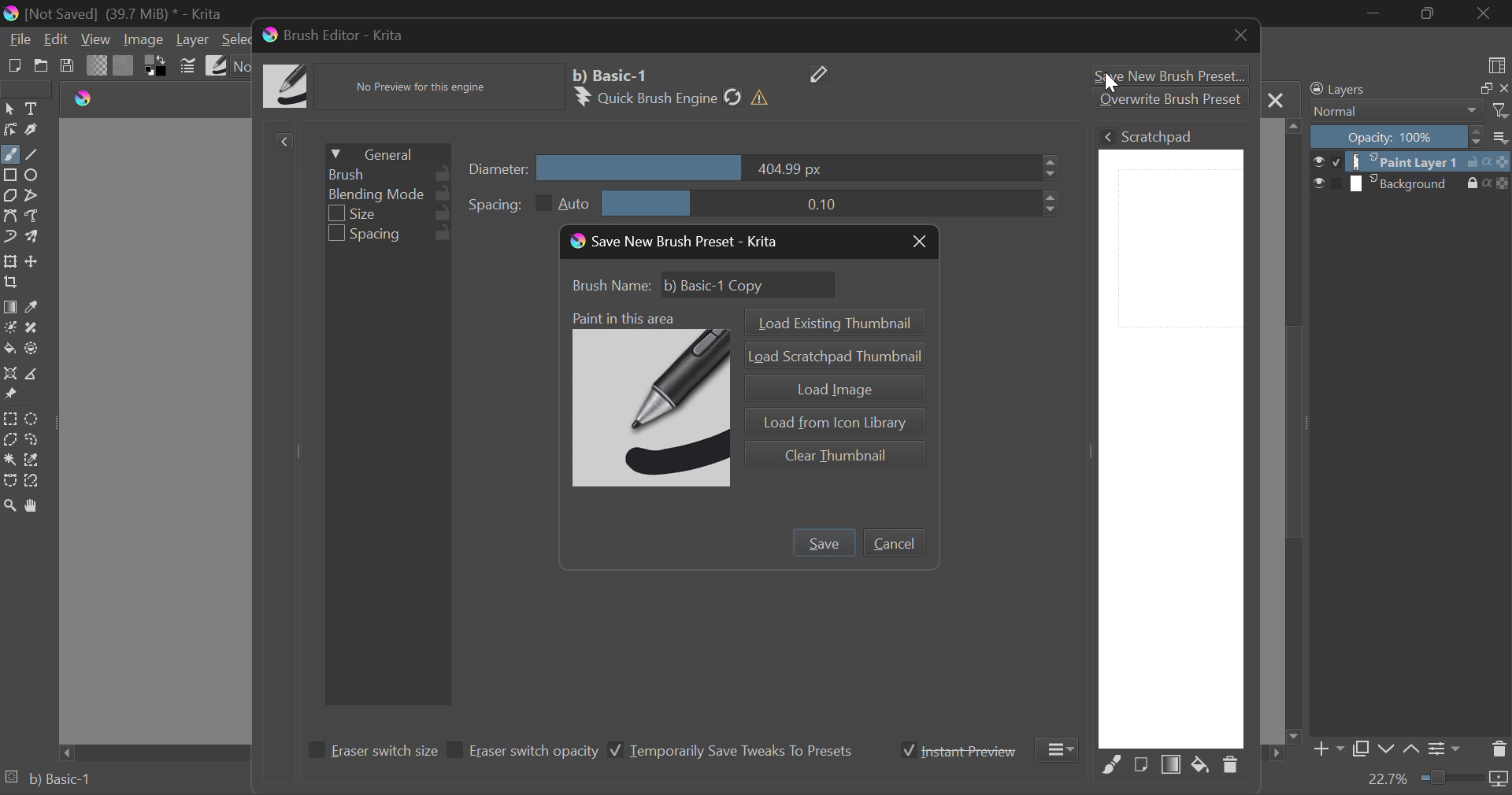  Describe the element at coordinates (649, 398) in the screenshot. I see `Brush Preset Icon` at that location.